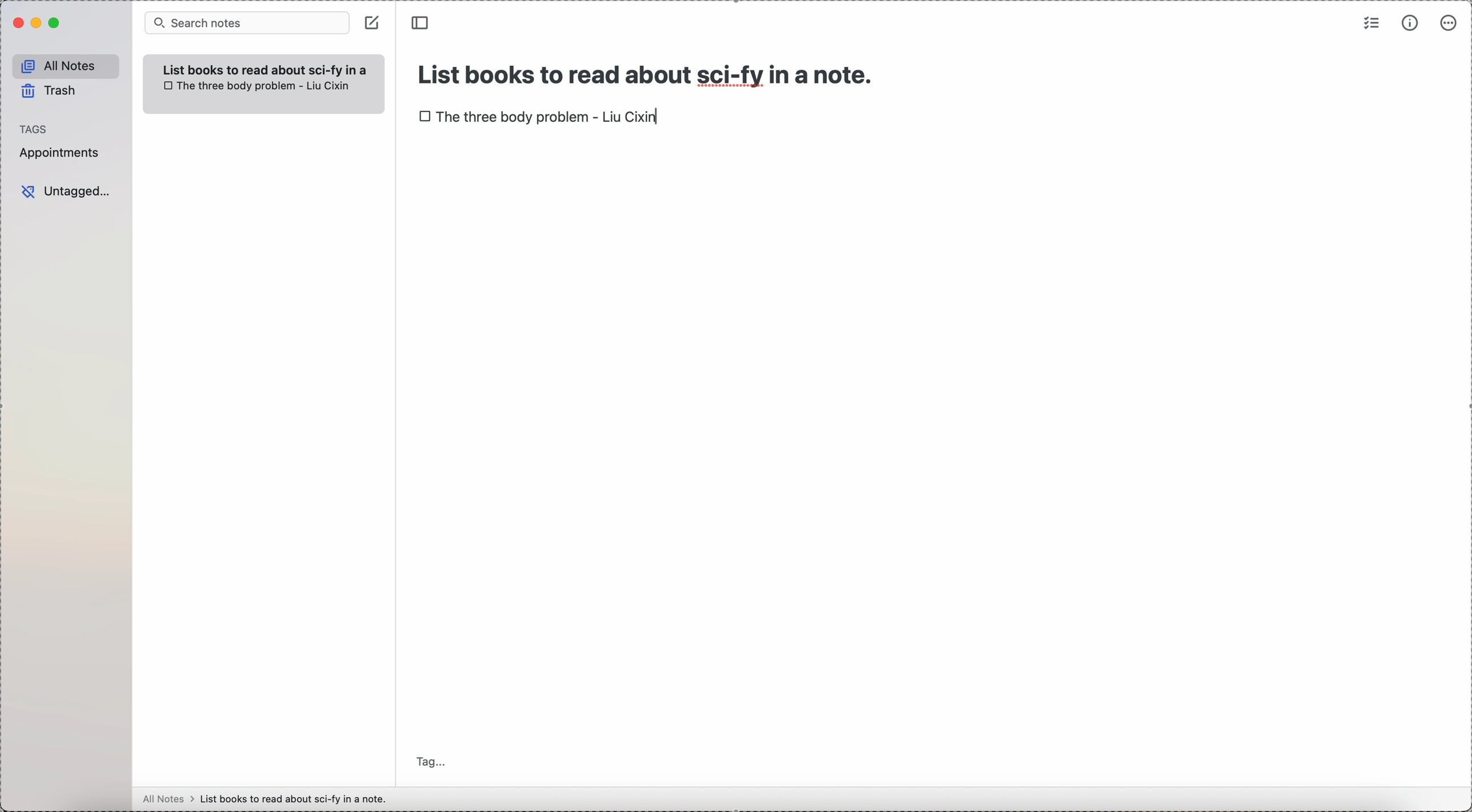 The height and width of the screenshot is (812, 1472). Describe the element at coordinates (1447, 24) in the screenshot. I see `more options` at that location.